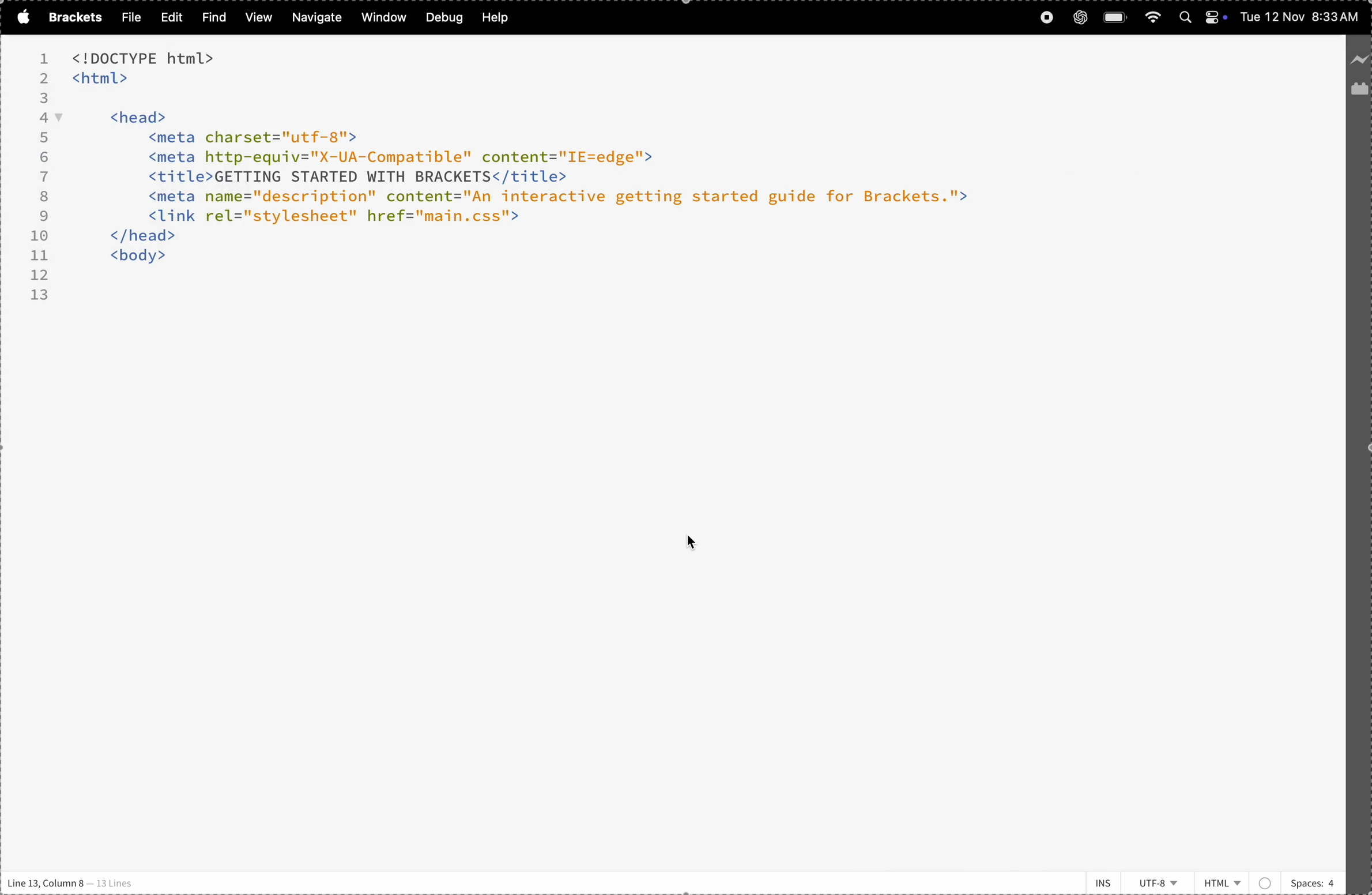  I want to click on cursor, so click(696, 548).